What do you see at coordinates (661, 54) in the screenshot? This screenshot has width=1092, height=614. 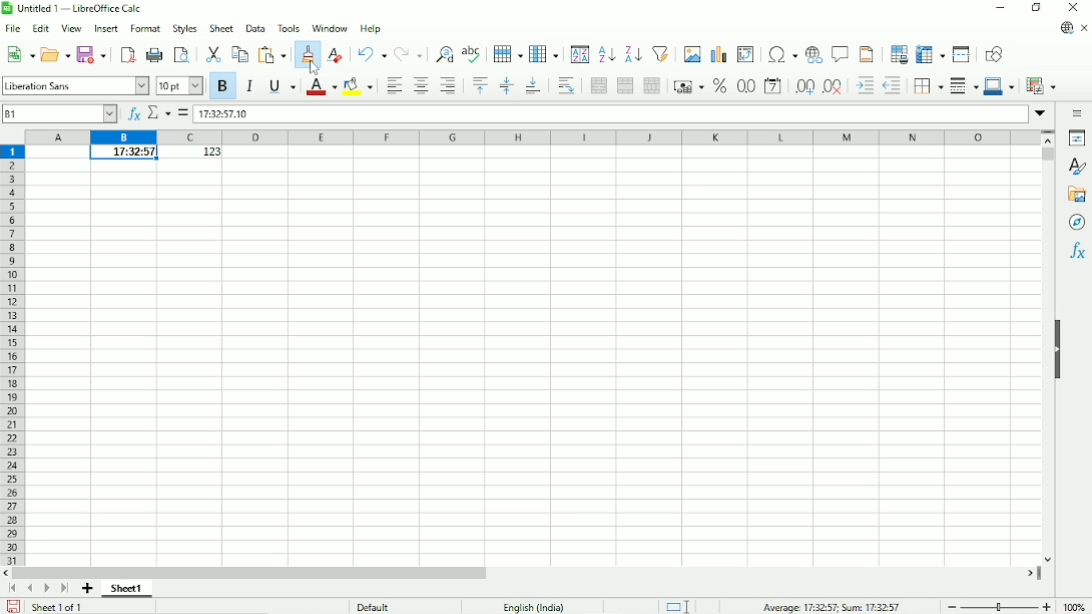 I see `Autofilter` at bounding box center [661, 54].